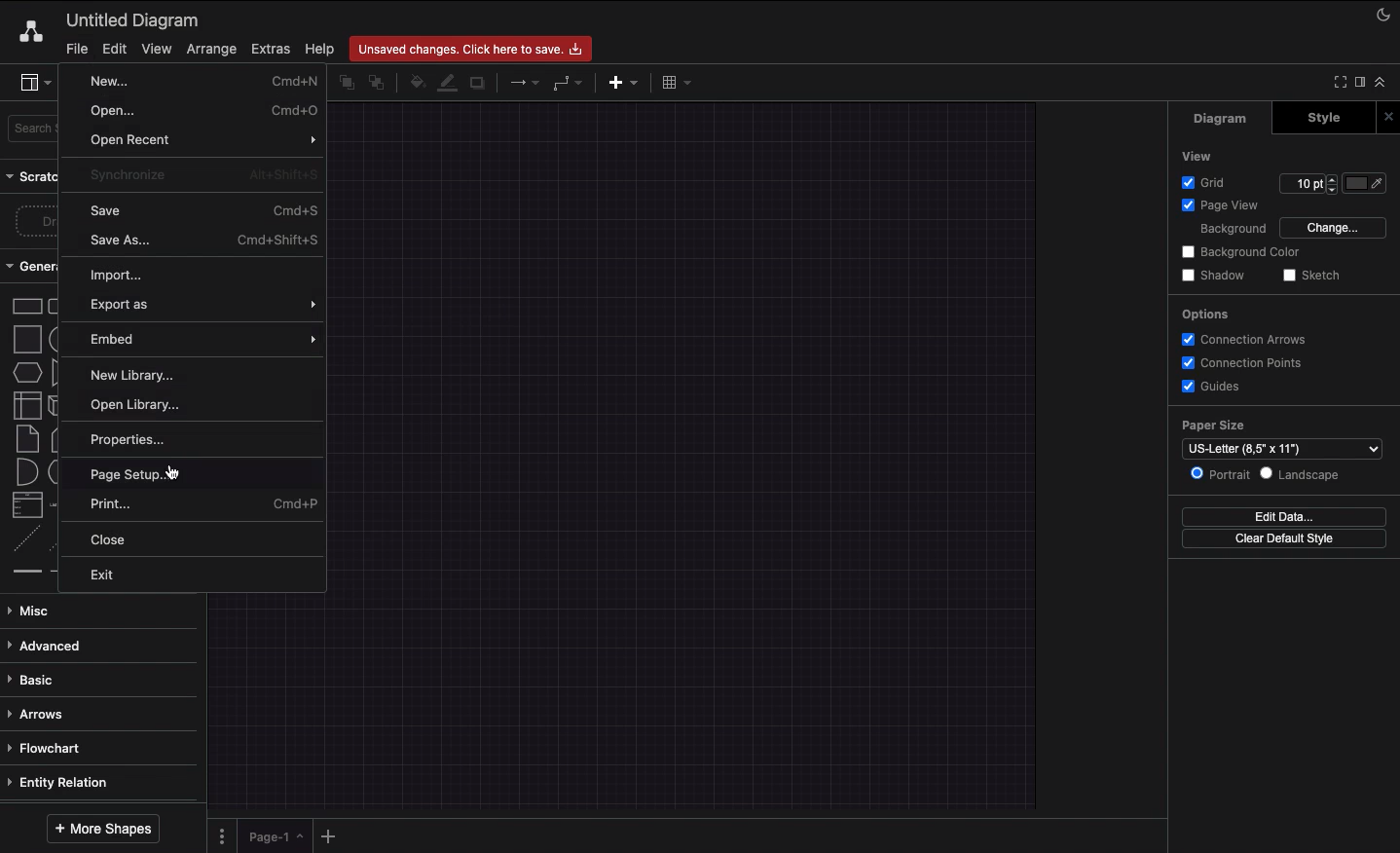  Describe the element at coordinates (28, 473) in the screenshot. I see `And` at that location.